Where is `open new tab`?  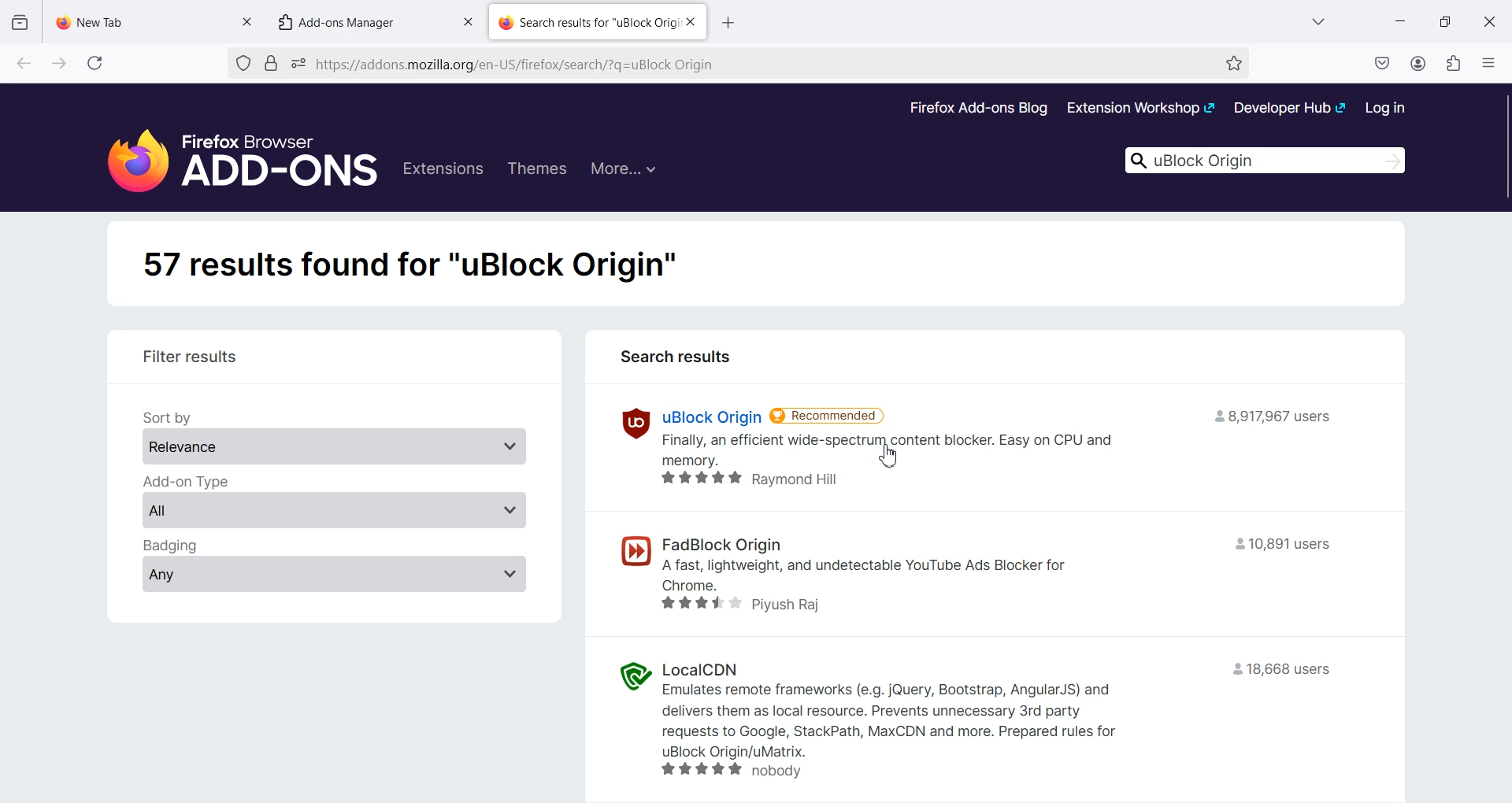
open new tab is located at coordinates (732, 20).